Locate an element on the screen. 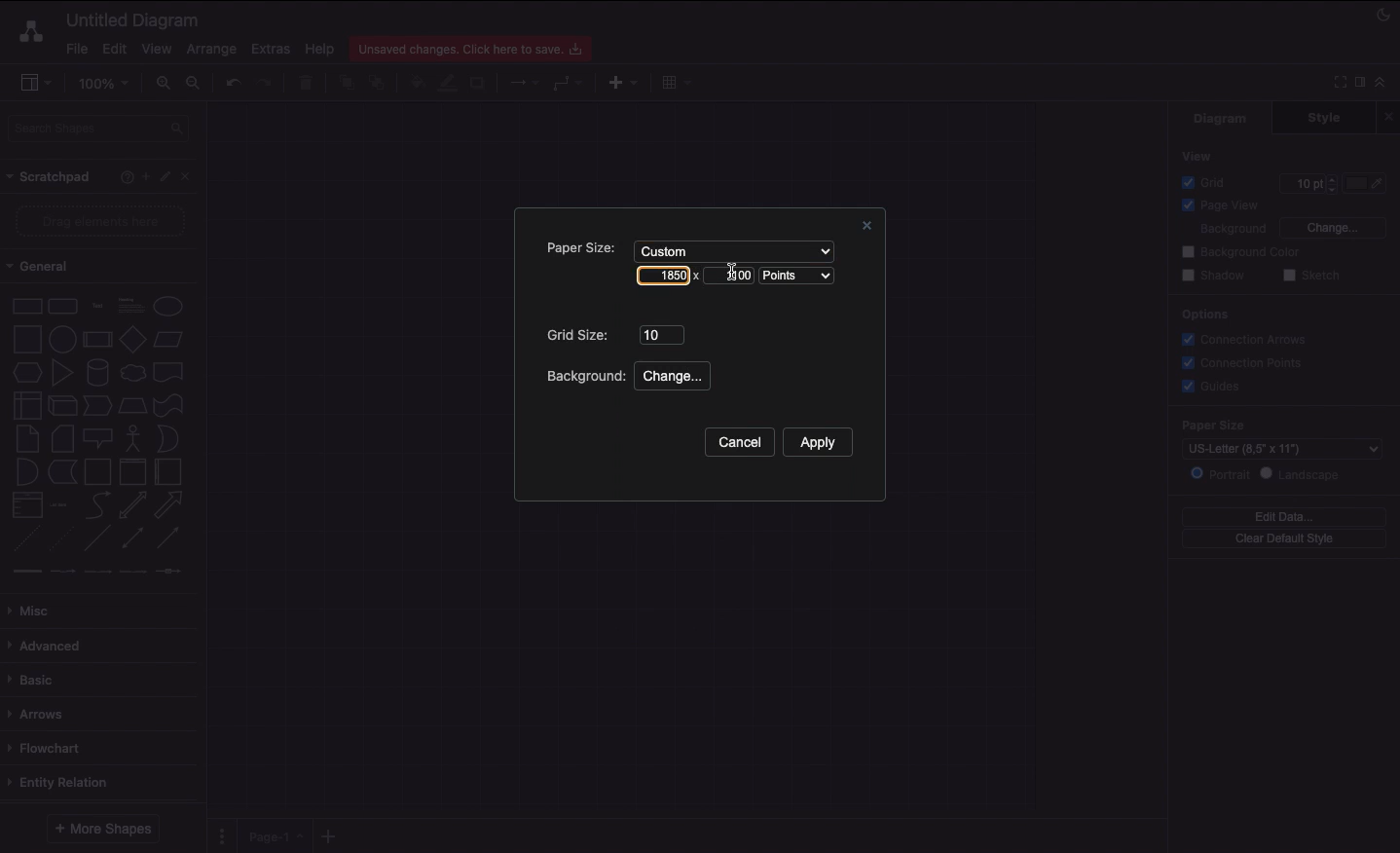 Image resolution: width=1400 pixels, height=853 pixels. Bidirectional arrow is located at coordinates (132, 504).